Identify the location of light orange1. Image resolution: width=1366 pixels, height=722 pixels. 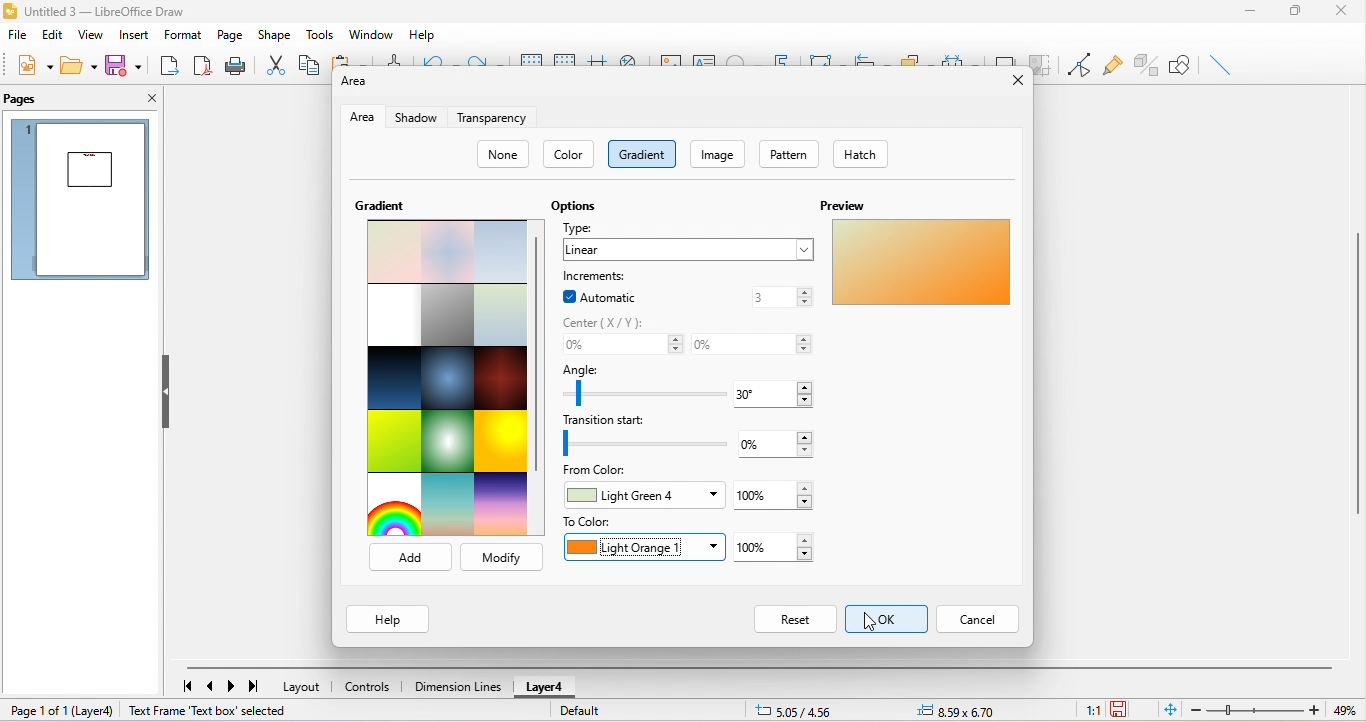
(648, 544).